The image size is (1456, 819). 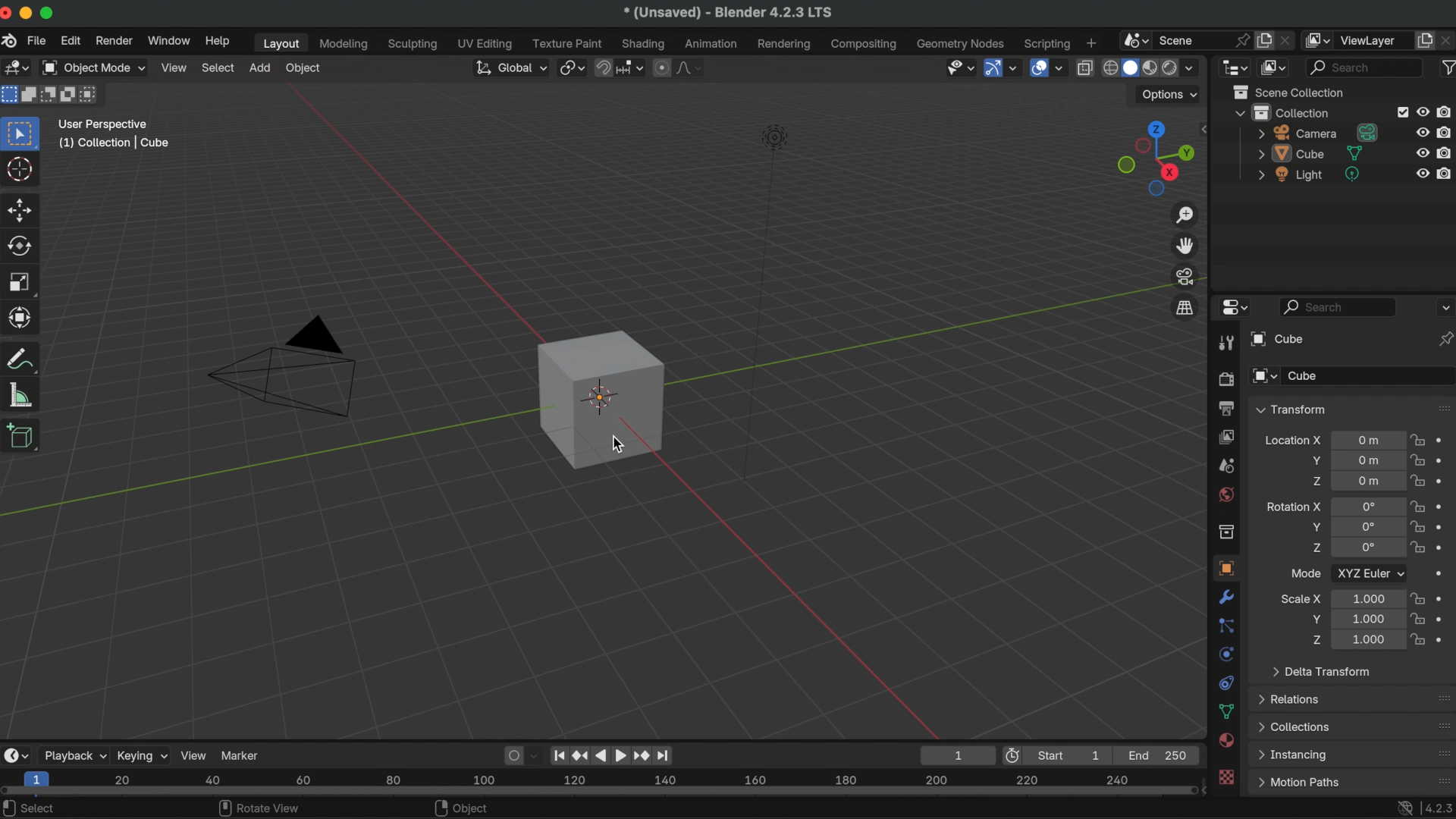 I want to click on output, so click(x=1224, y=408).